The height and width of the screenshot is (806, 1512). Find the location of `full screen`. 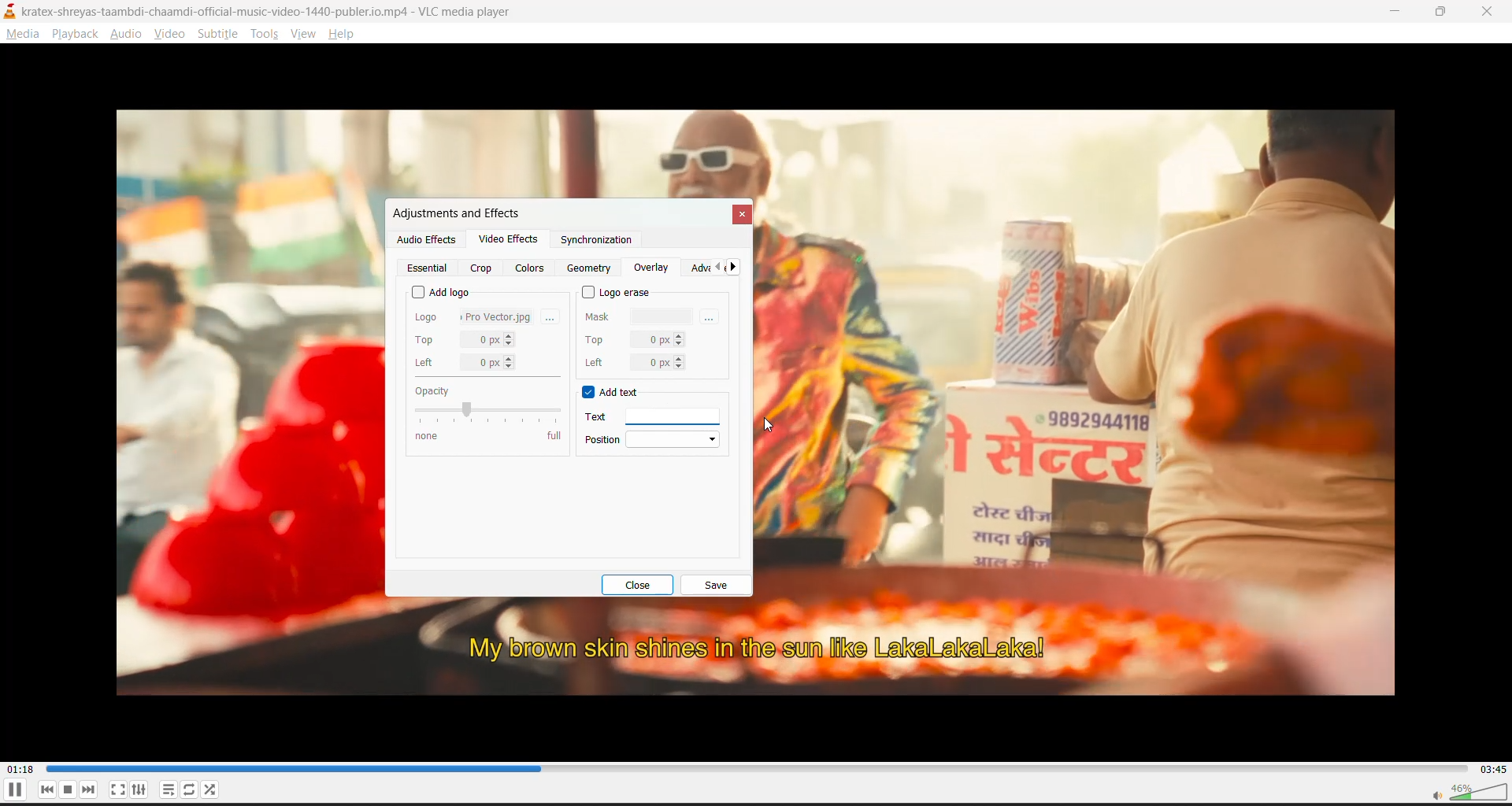

full screen is located at coordinates (118, 789).